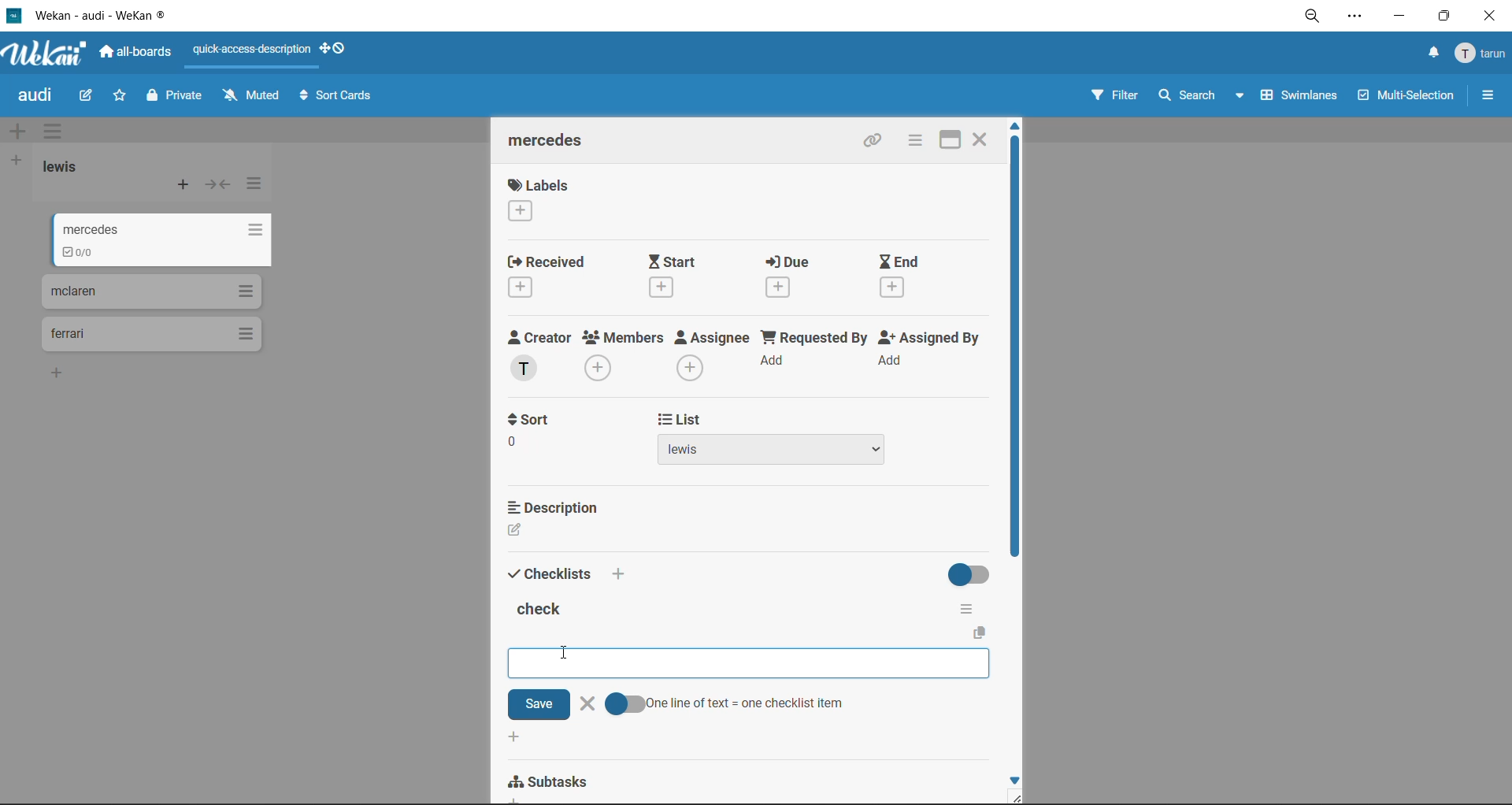  What do you see at coordinates (548, 278) in the screenshot?
I see `recieved` at bounding box center [548, 278].